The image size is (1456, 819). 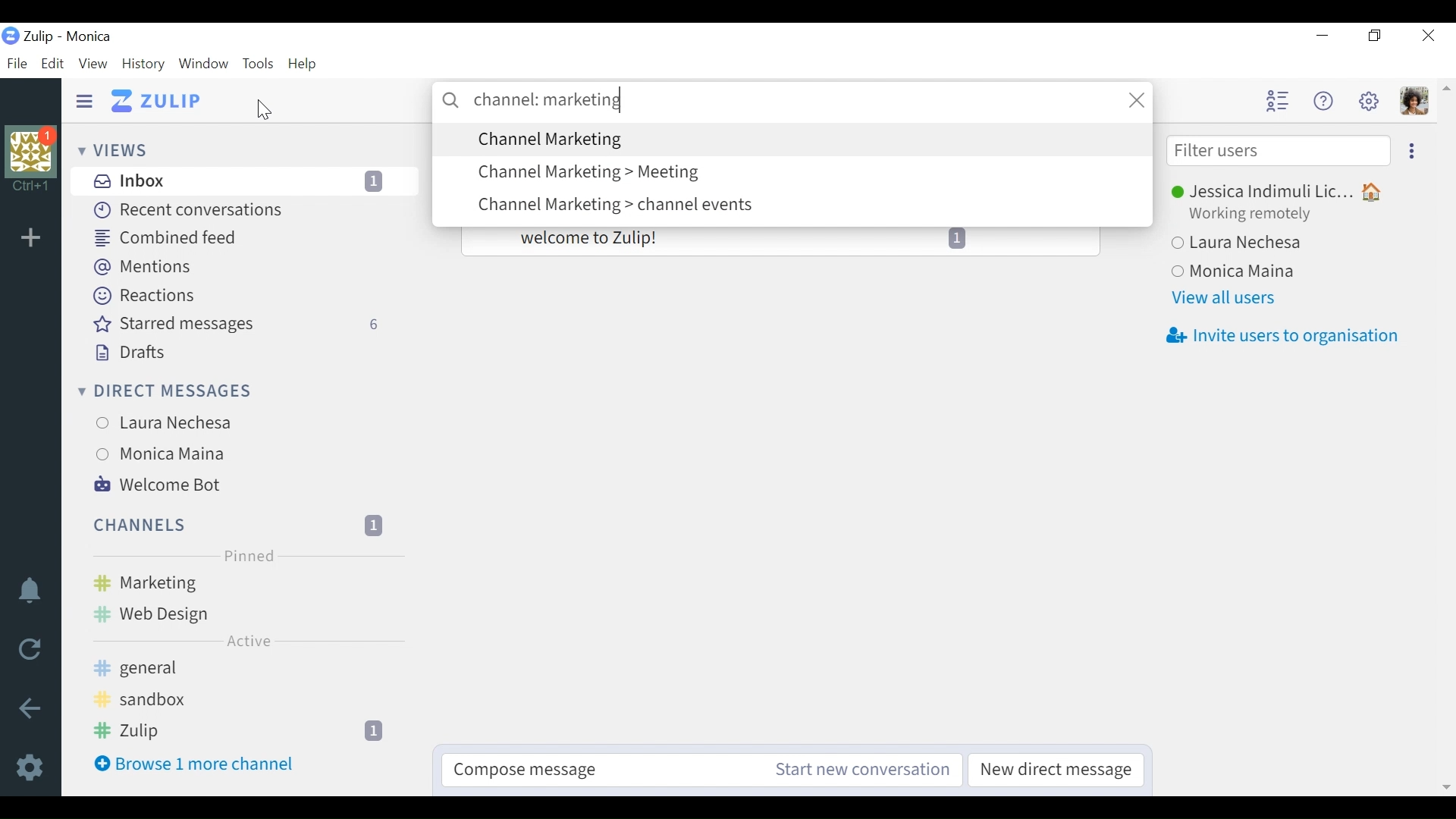 I want to click on Pinned, so click(x=248, y=557).